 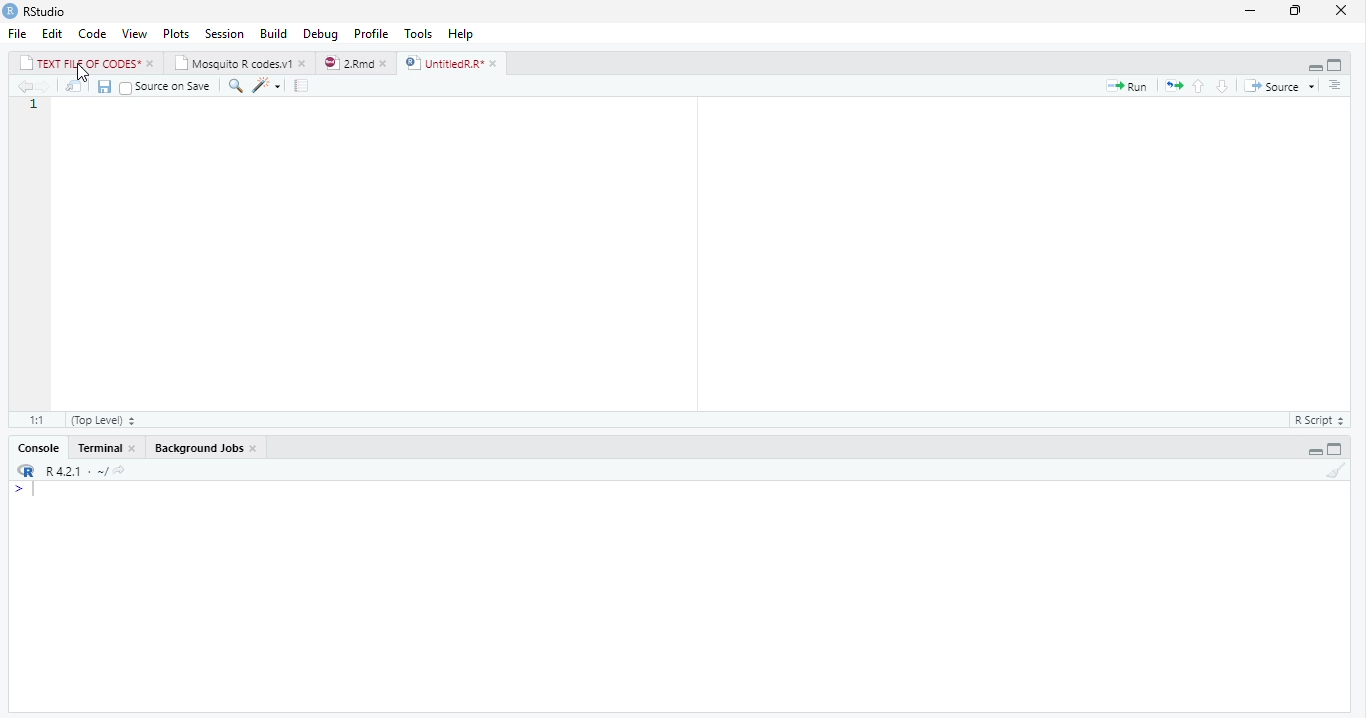 I want to click on Mosquito R codes.v1, so click(x=235, y=64).